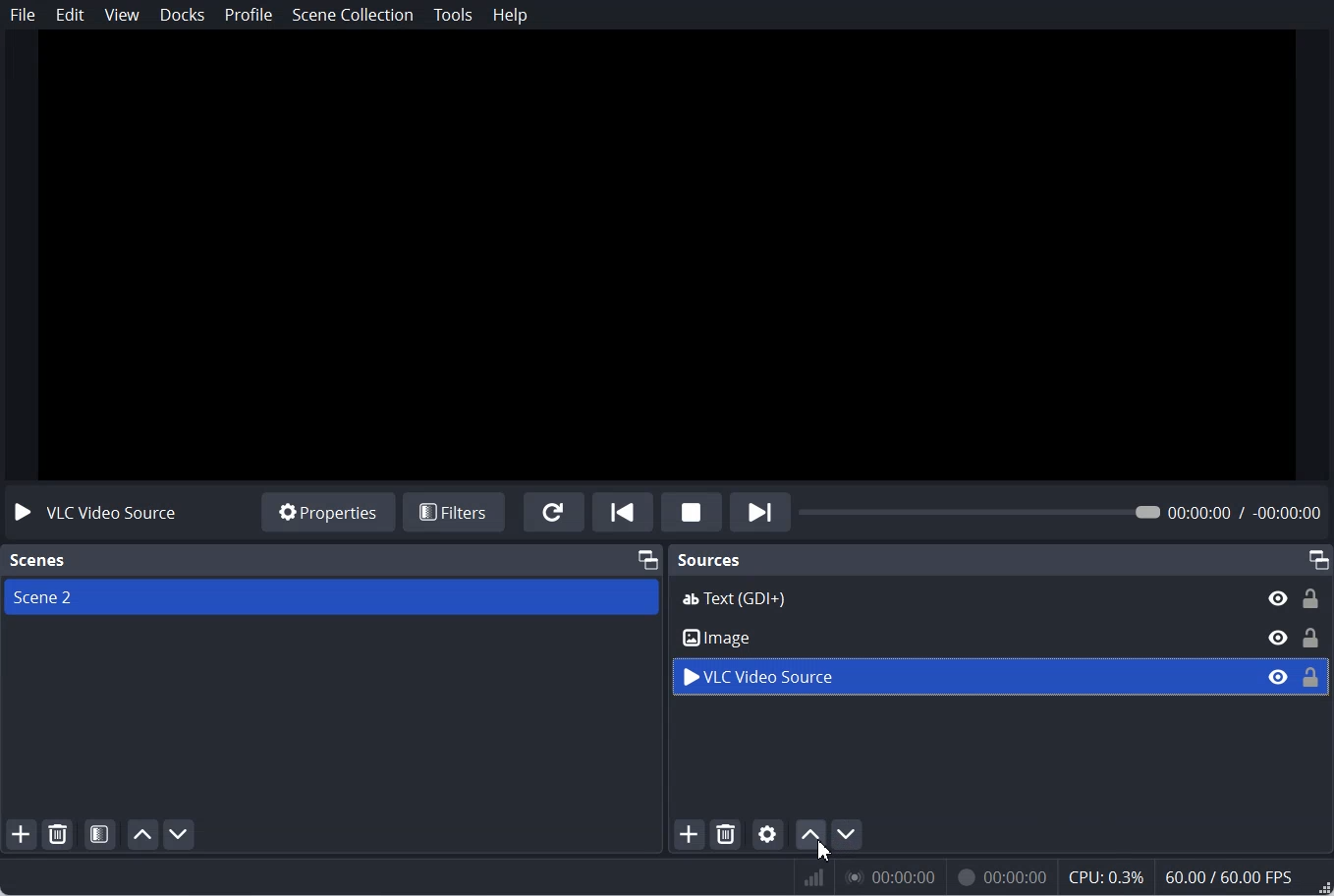 The width and height of the screenshot is (1334, 896). What do you see at coordinates (554, 512) in the screenshot?
I see `Restart Media` at bounding box center [554, 512].